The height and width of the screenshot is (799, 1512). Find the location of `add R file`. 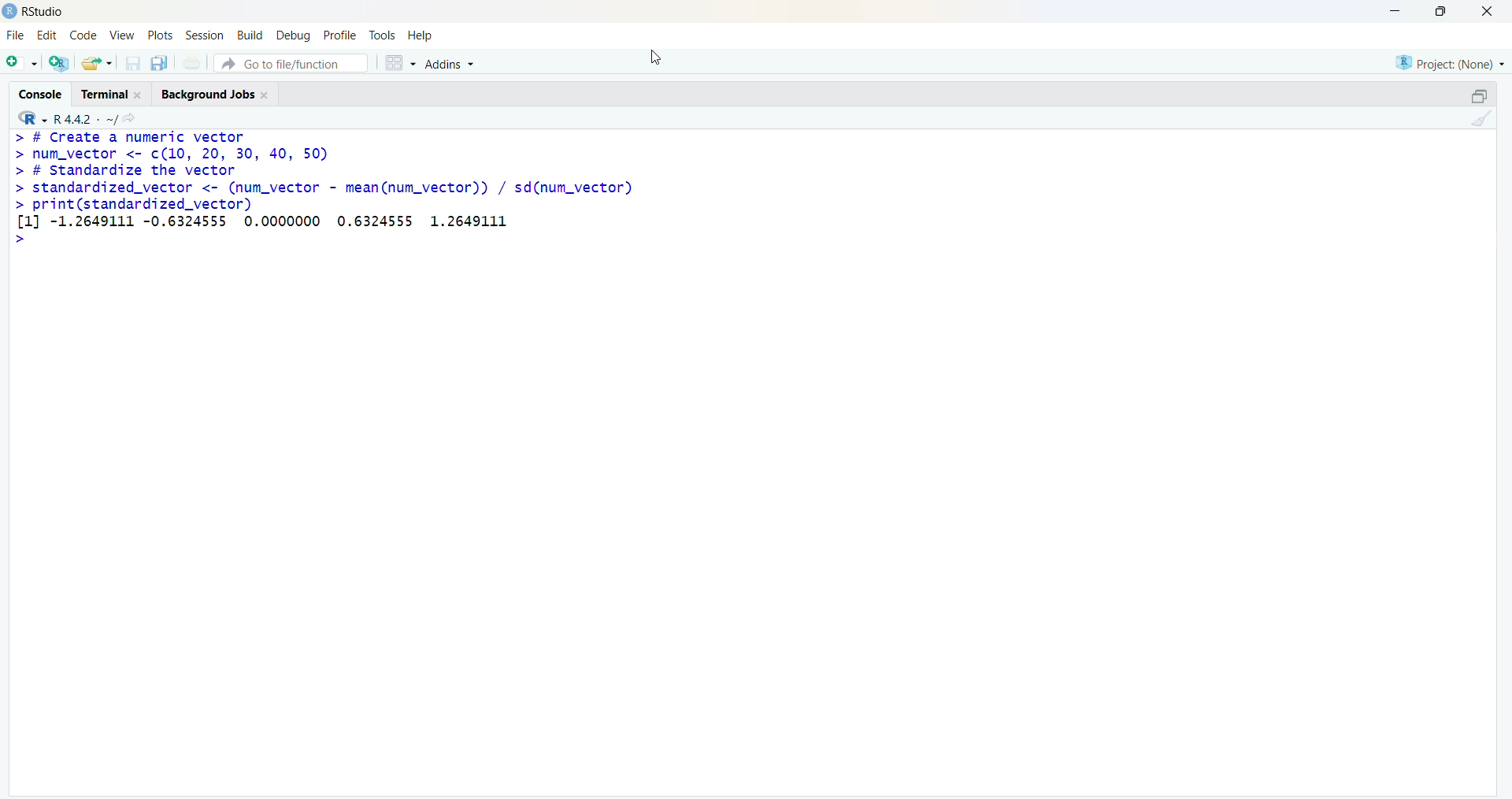

add R file is located at coordinates (60, 64).